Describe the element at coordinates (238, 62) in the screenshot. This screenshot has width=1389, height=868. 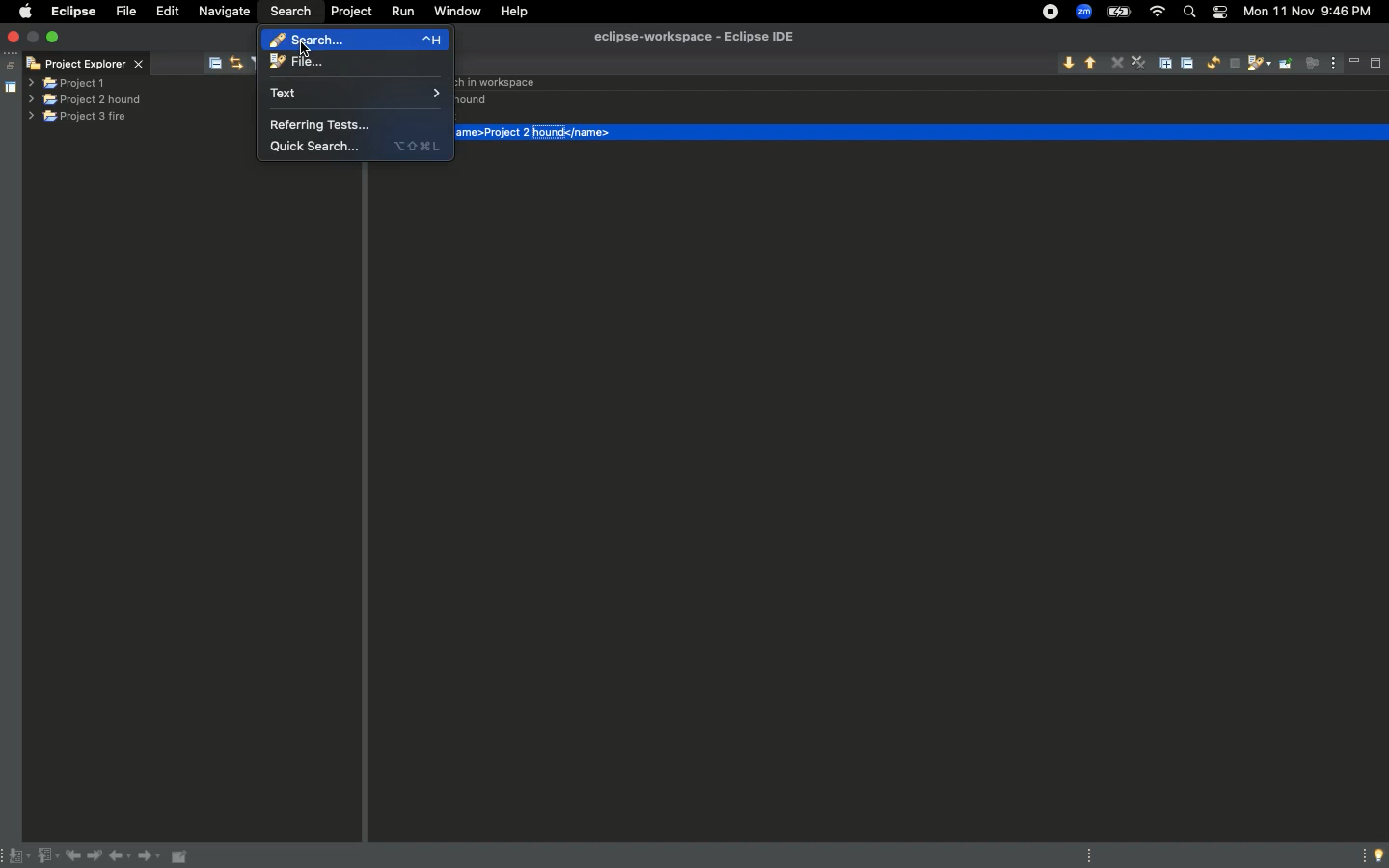
I see `link with editor` at that location.